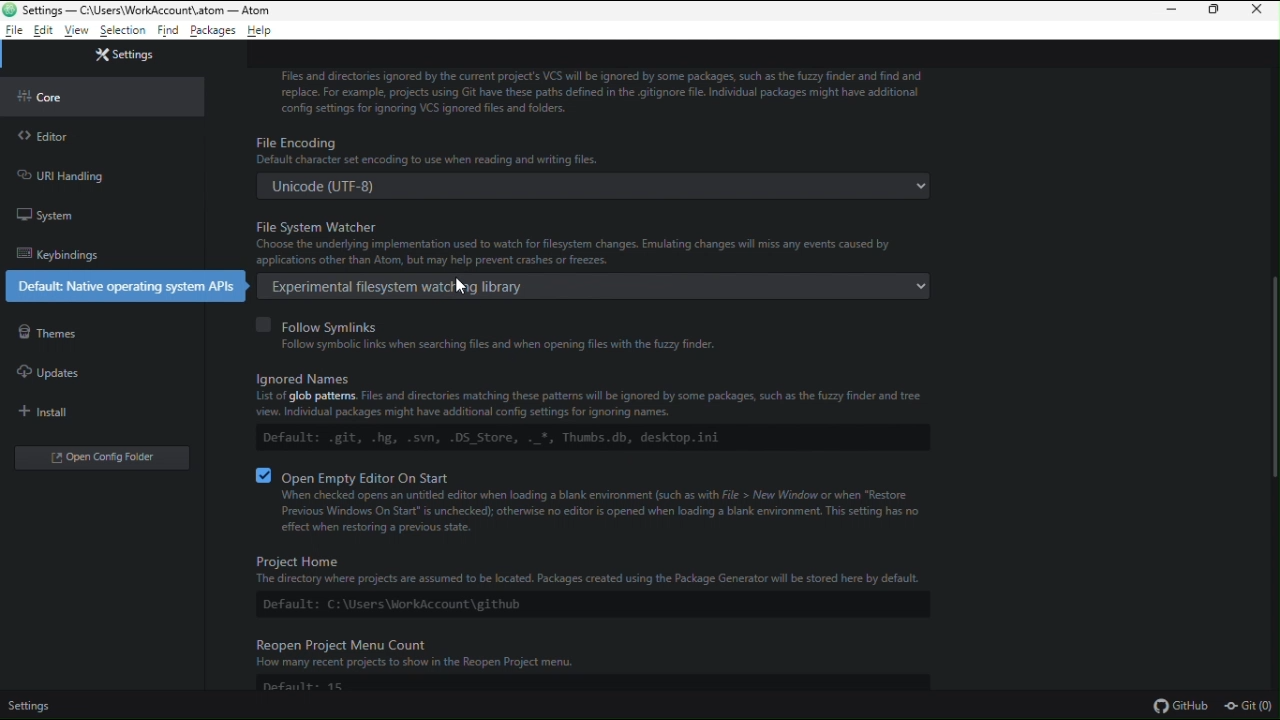  Describe the element at coordinates (592, 166) in the screenshot. I see `File encoding` at that location.